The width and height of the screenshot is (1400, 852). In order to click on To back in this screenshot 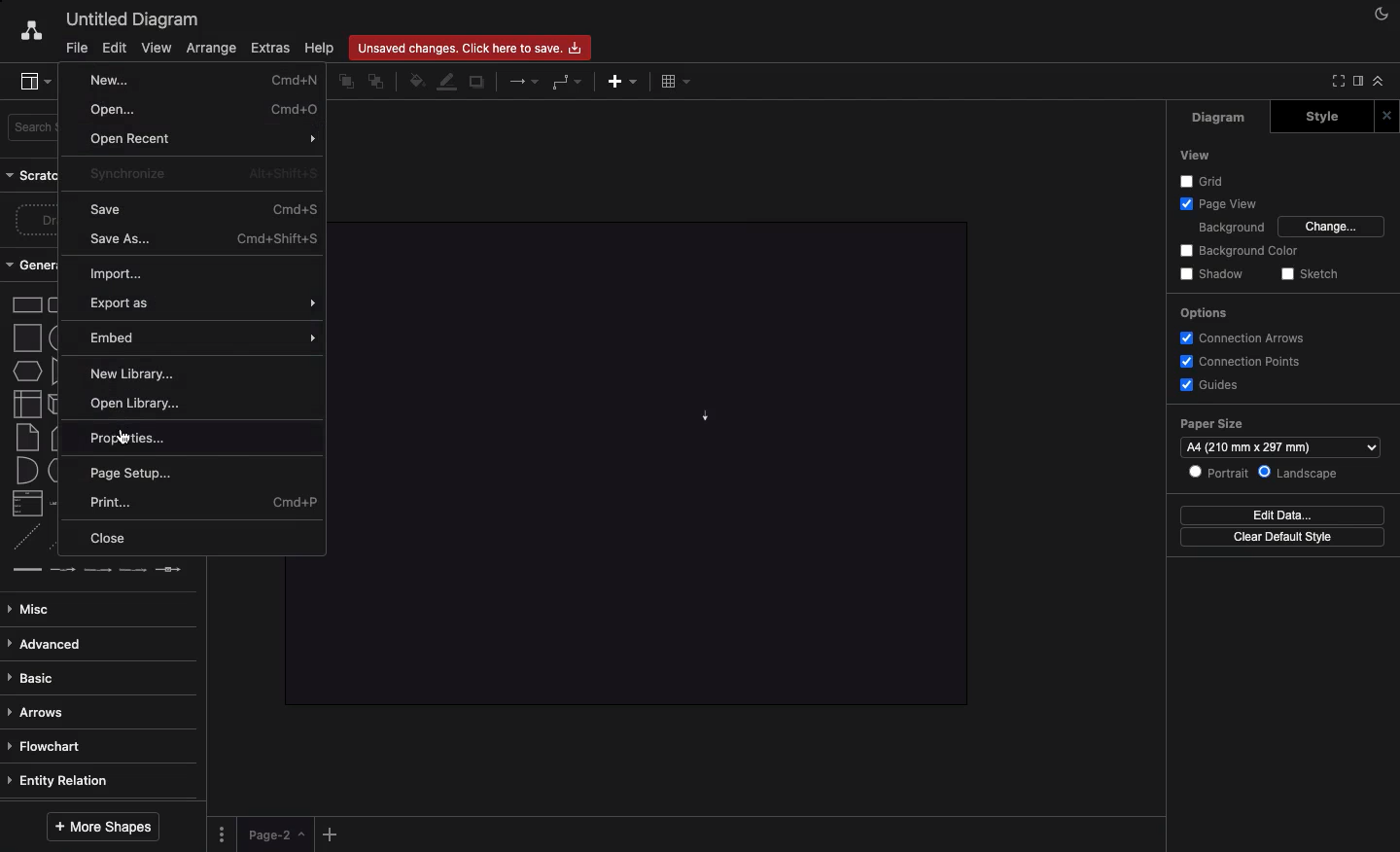, I will do `click(378, 81)`.